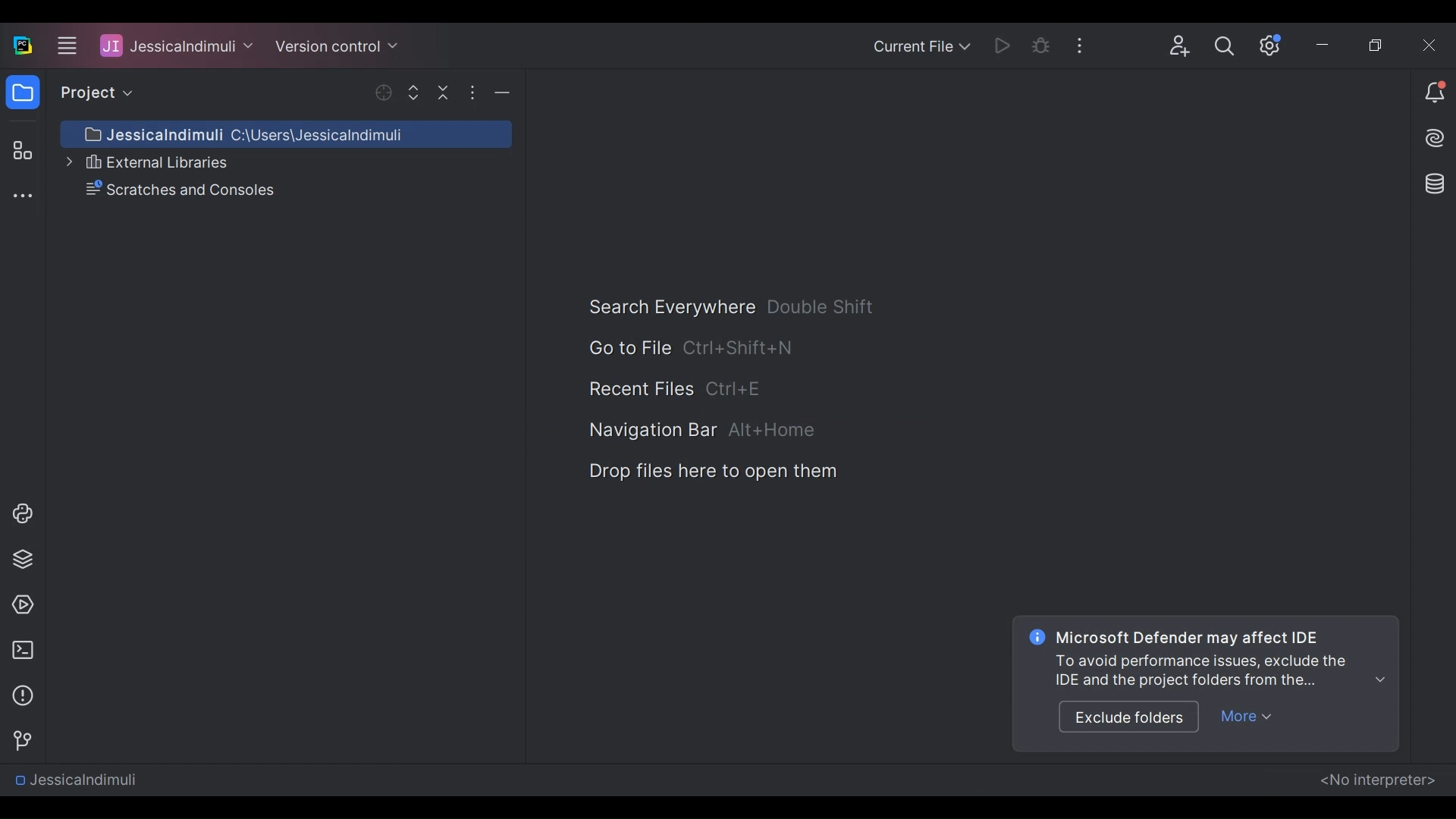 The width and height of the screenshot is (1456, 819). I want to click on minimize, so click(1321, 45).